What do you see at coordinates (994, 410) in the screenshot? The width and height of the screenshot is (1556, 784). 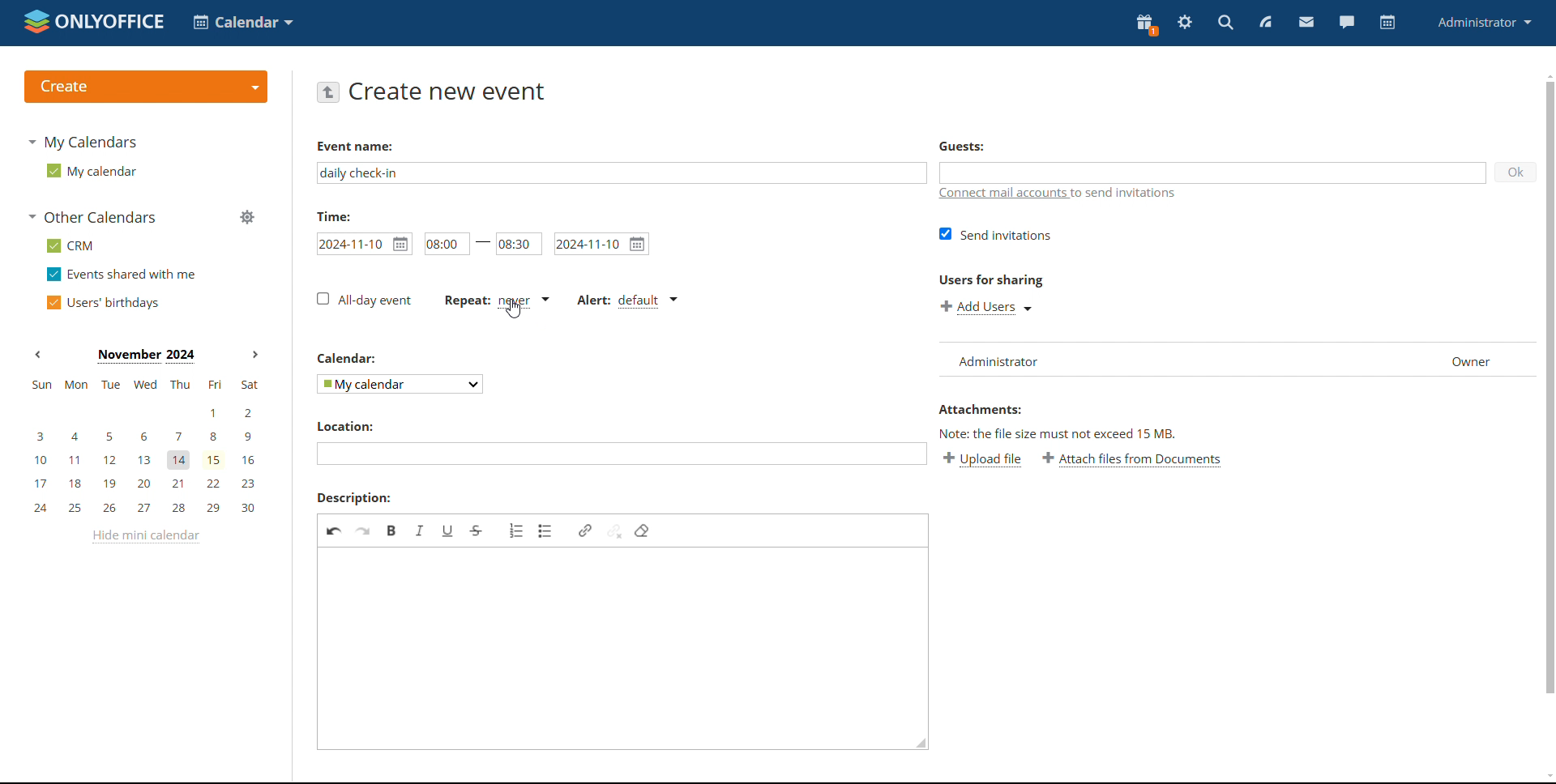 I see `attachment:` at bounding box center [994, 410].